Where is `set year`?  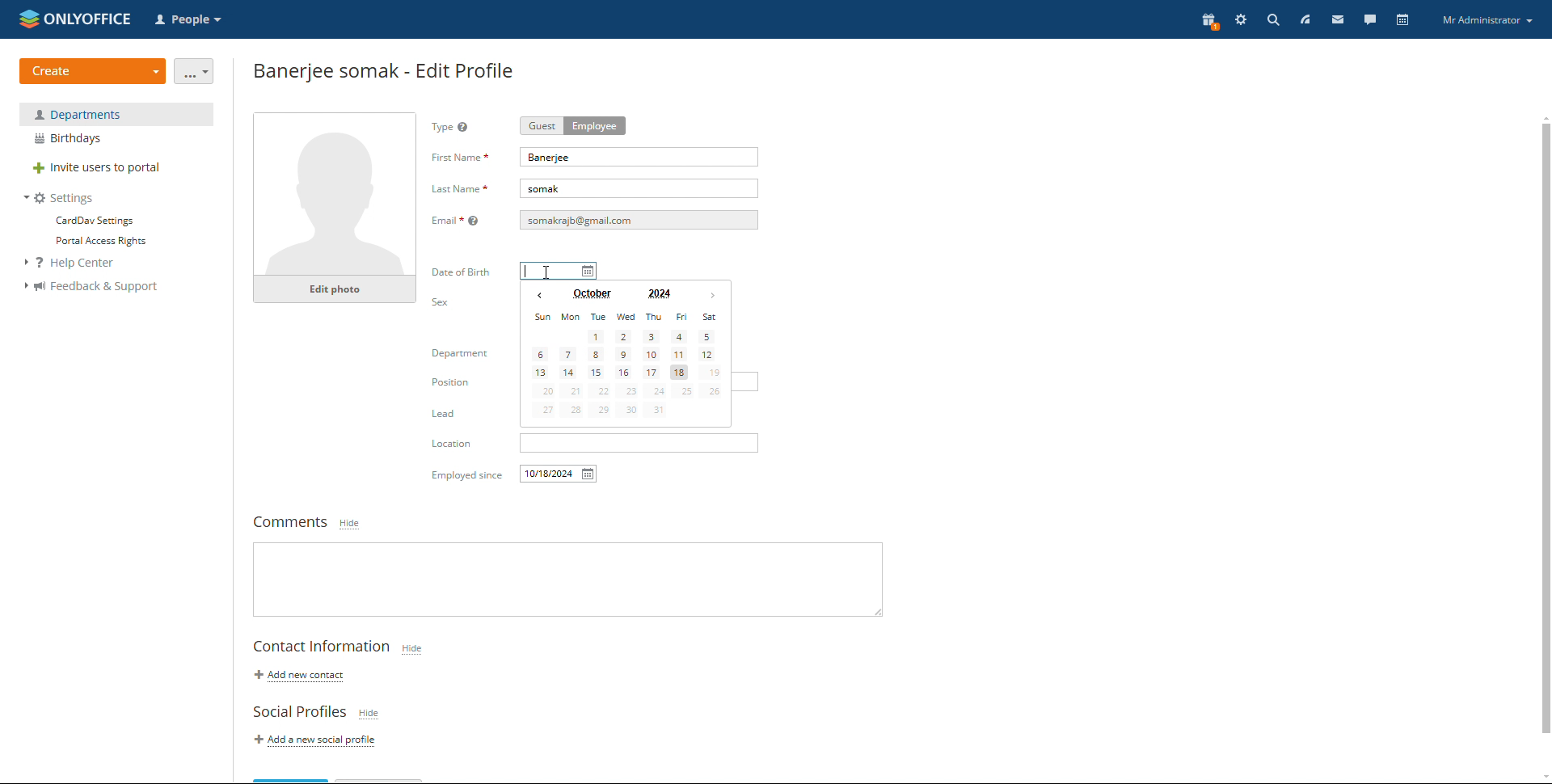
set year is located at coordinates (660, 293).